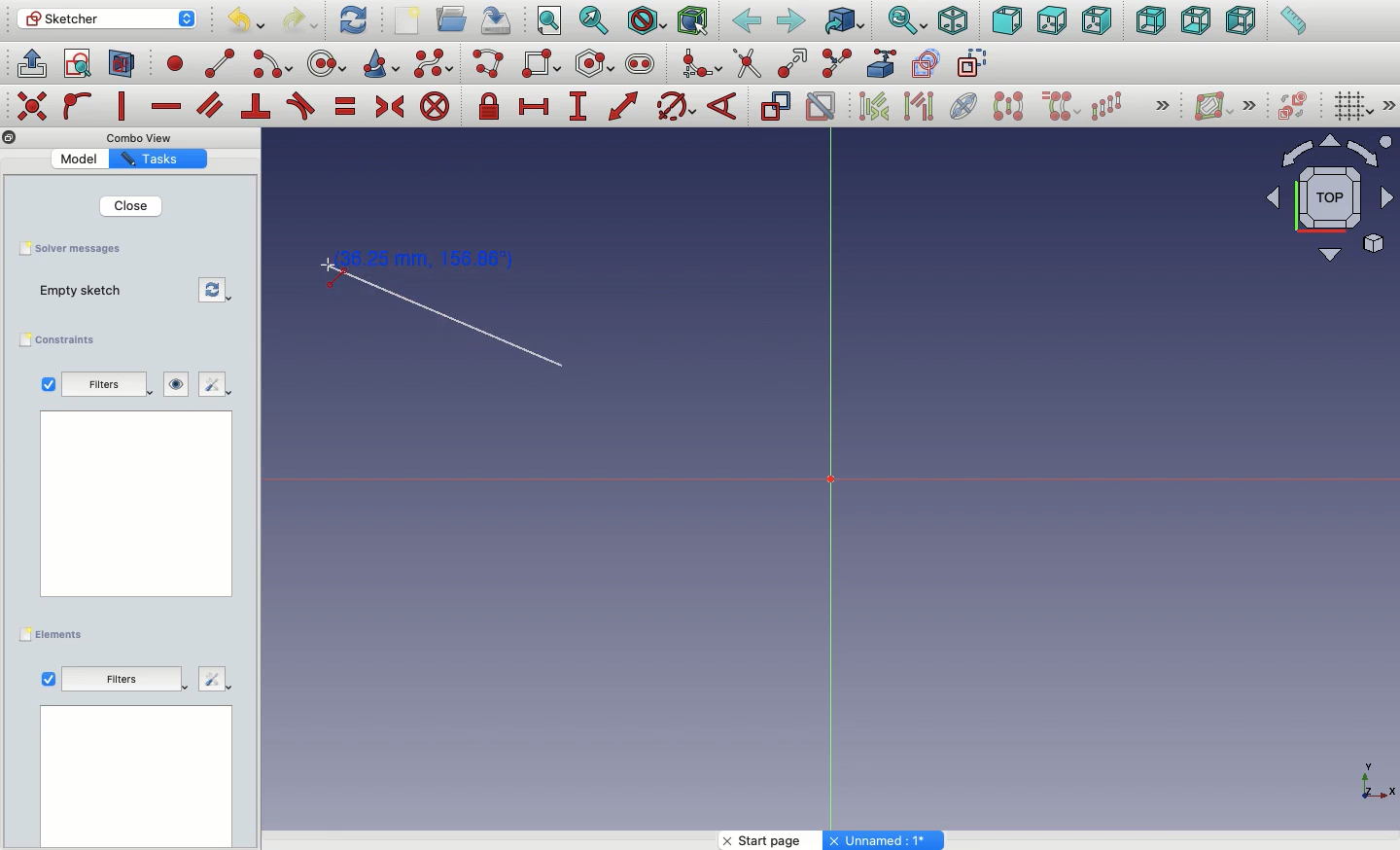  I want to click on Constrain parallel, so click(210, 105).